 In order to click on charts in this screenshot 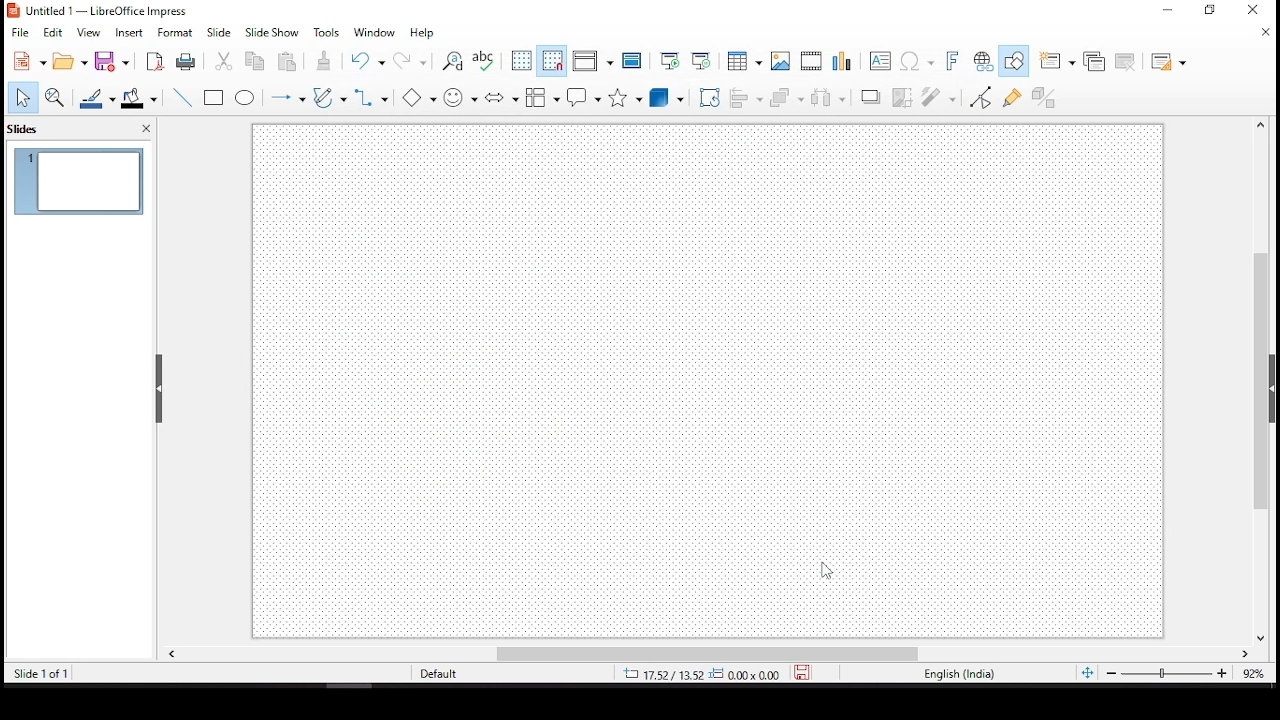, I will do `click(842, 59)`.